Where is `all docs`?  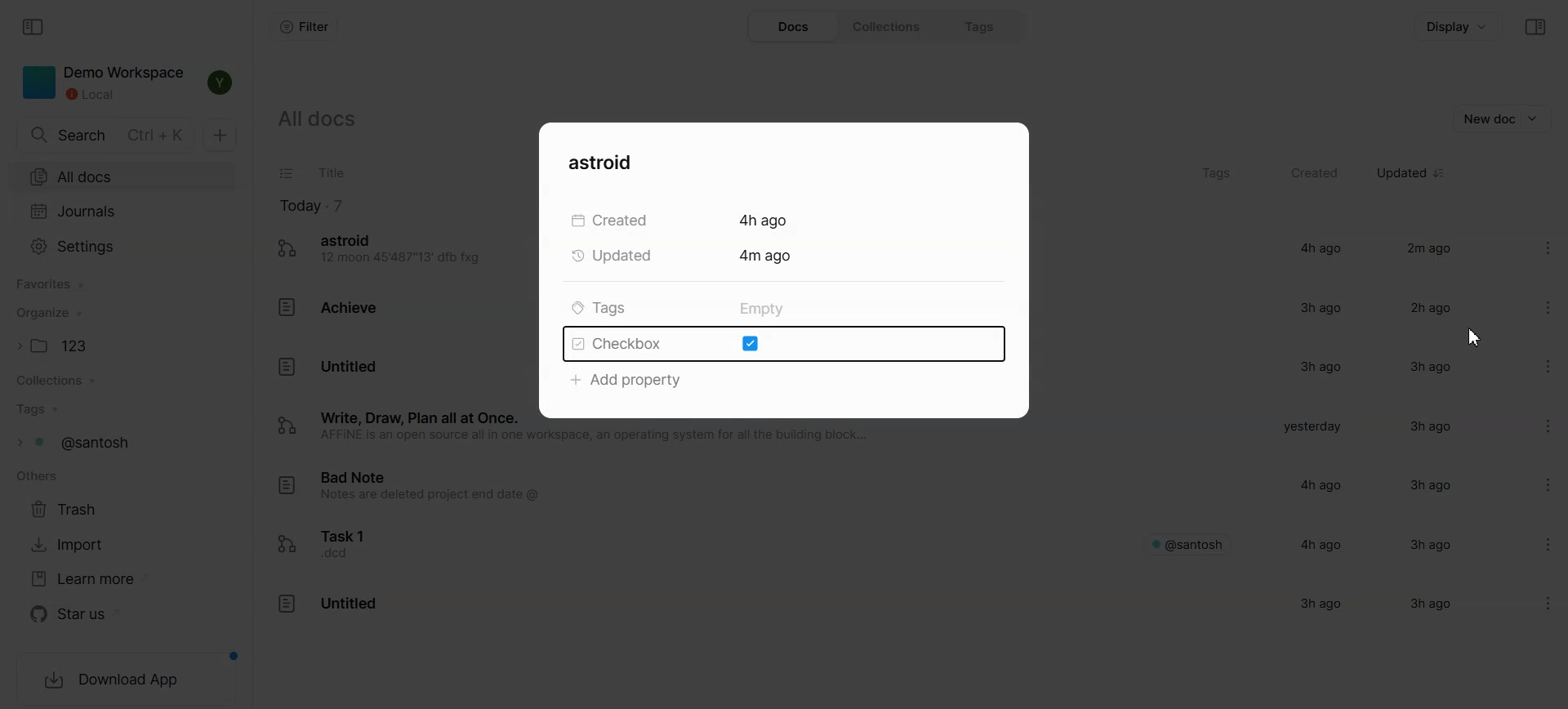
all docs is located at coordinates (333, 123).